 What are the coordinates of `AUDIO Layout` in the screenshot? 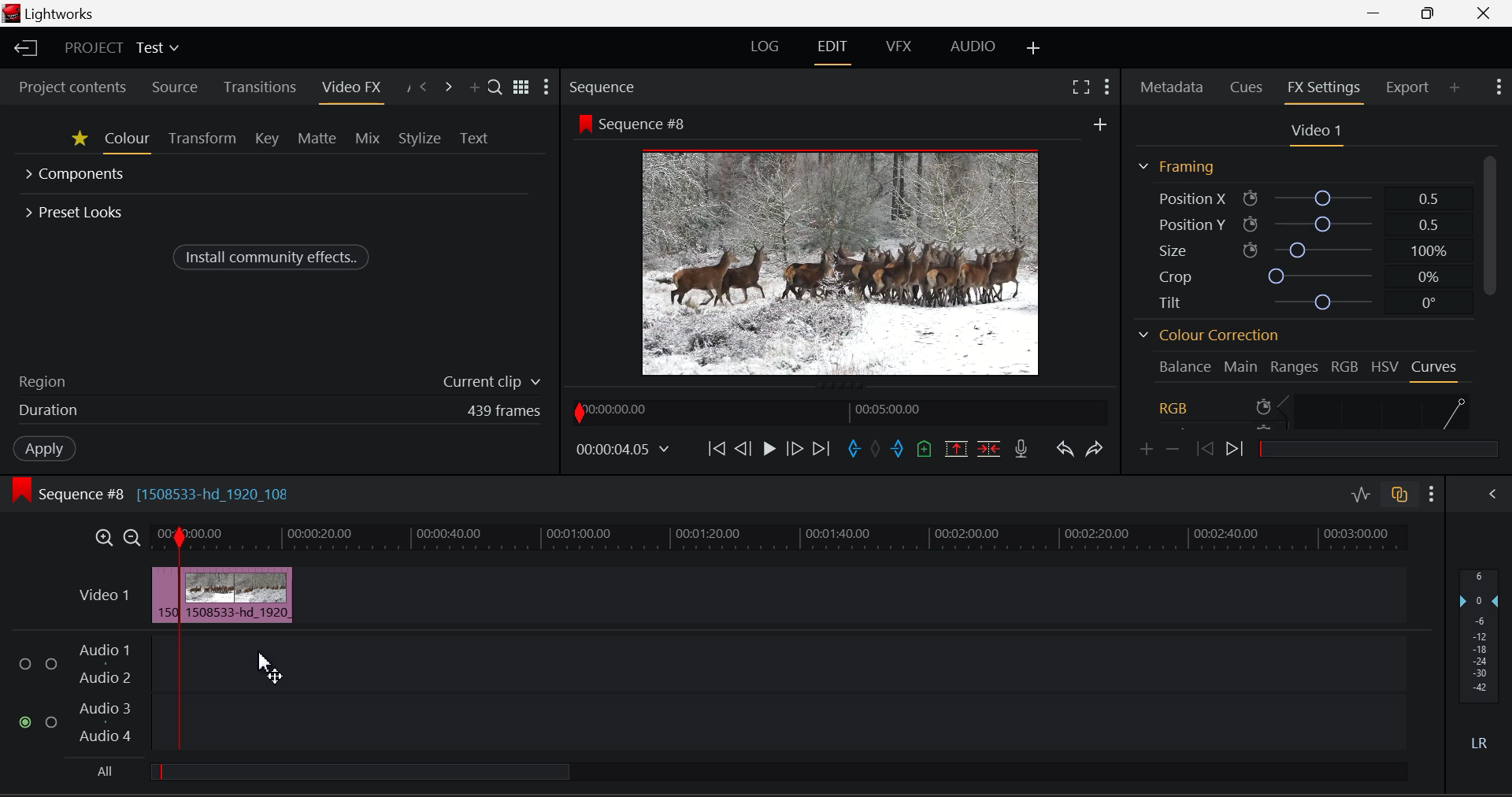 It's located at (975, 46).